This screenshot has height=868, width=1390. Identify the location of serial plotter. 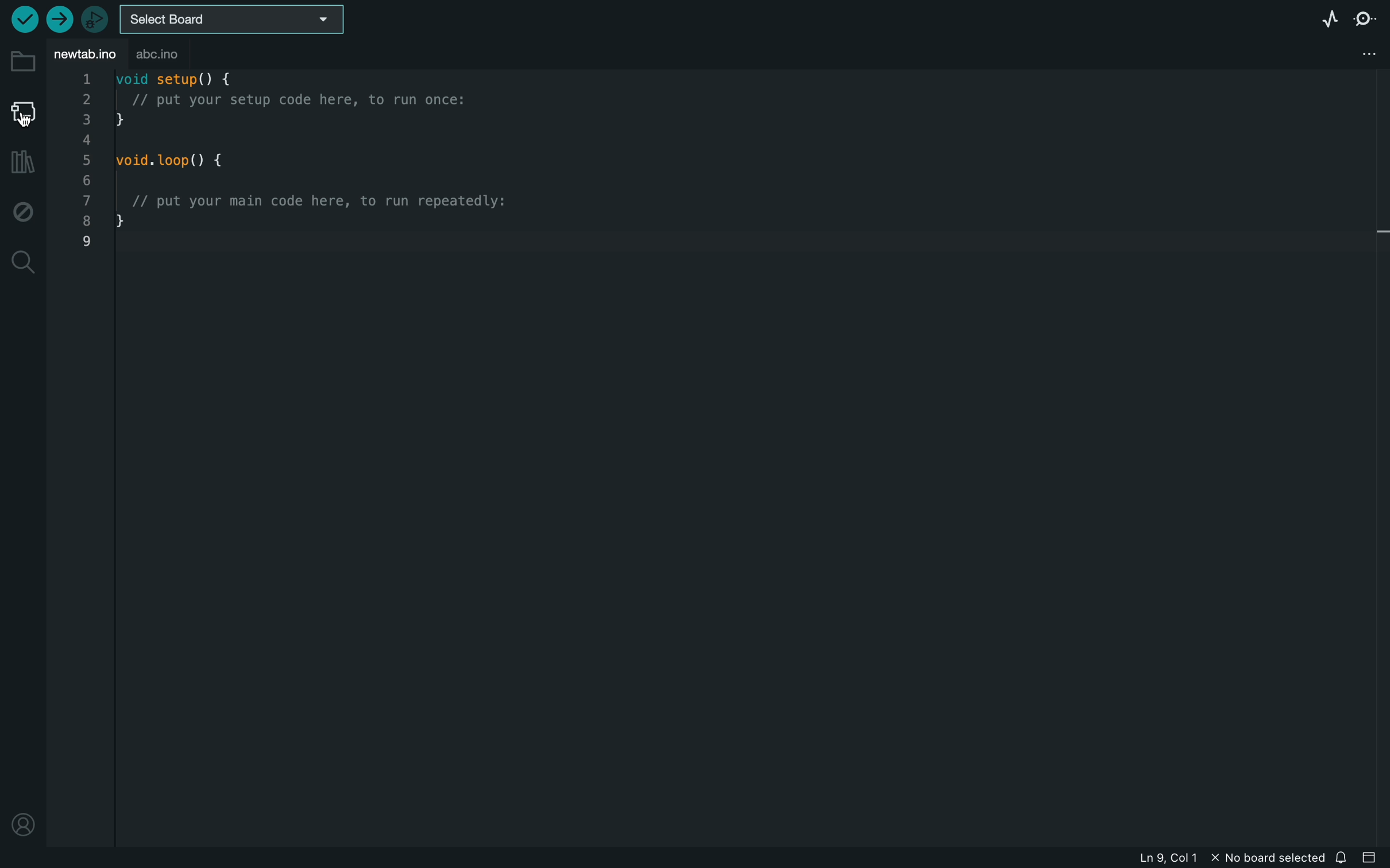
(1328, 20).